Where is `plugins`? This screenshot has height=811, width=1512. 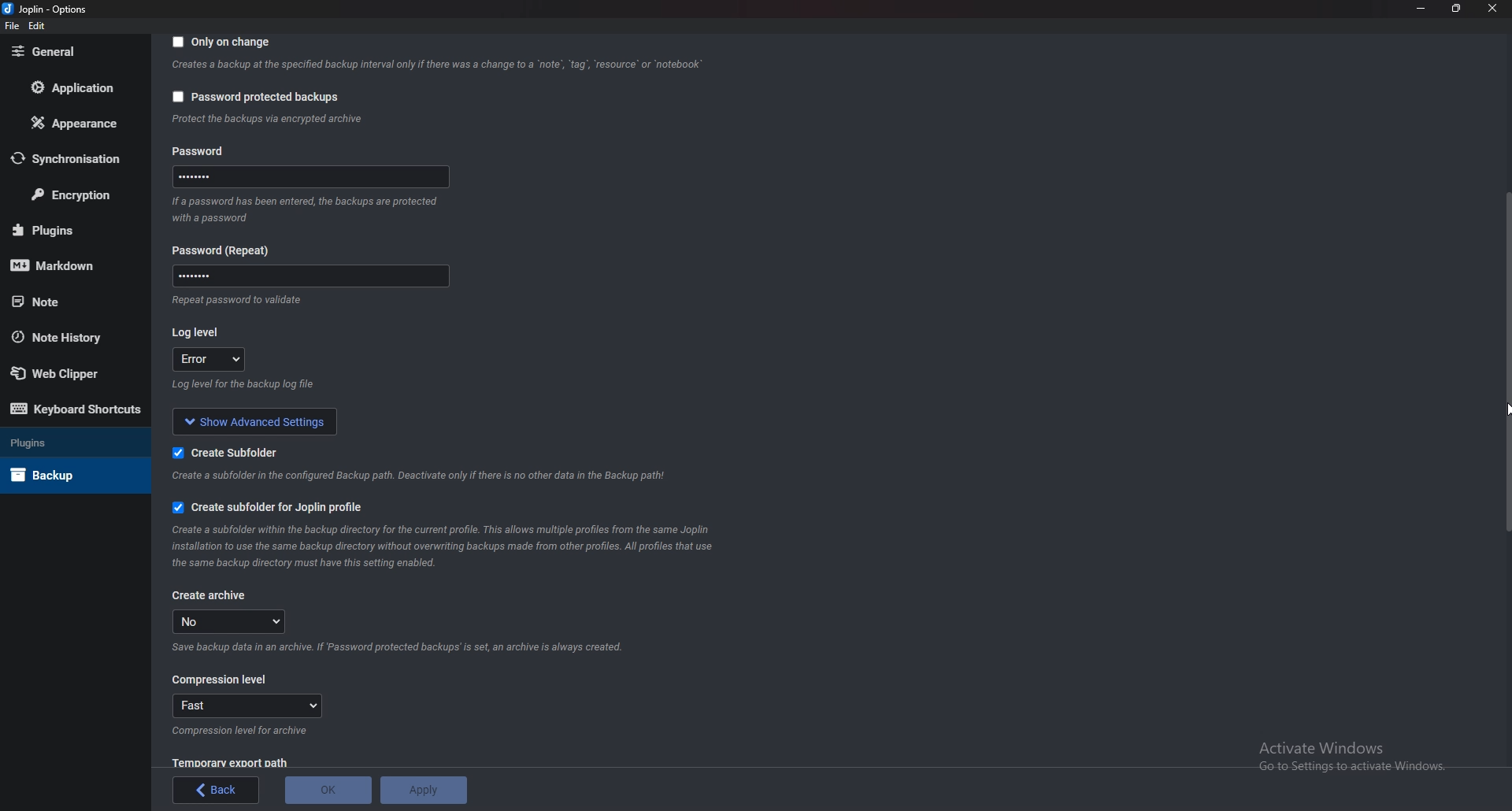 plugins is located at coordinates (66, 229).